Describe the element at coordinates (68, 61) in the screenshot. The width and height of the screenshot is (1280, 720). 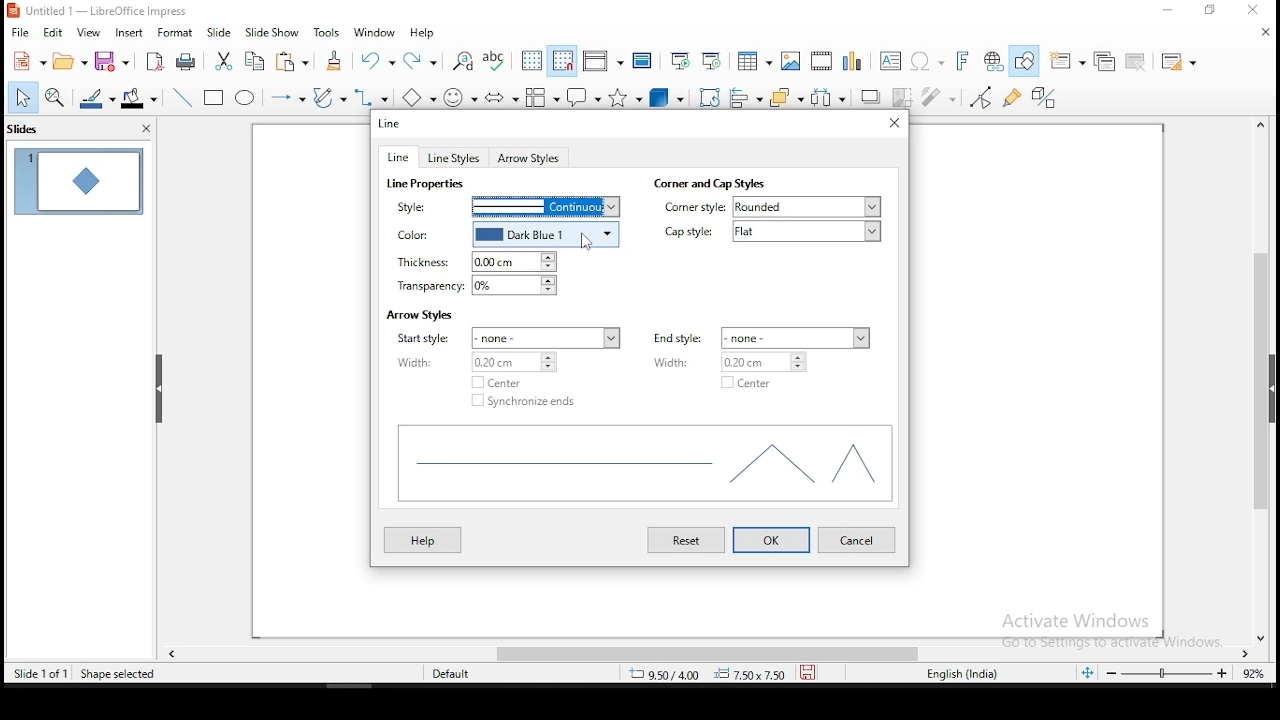
I see `open` at that location.